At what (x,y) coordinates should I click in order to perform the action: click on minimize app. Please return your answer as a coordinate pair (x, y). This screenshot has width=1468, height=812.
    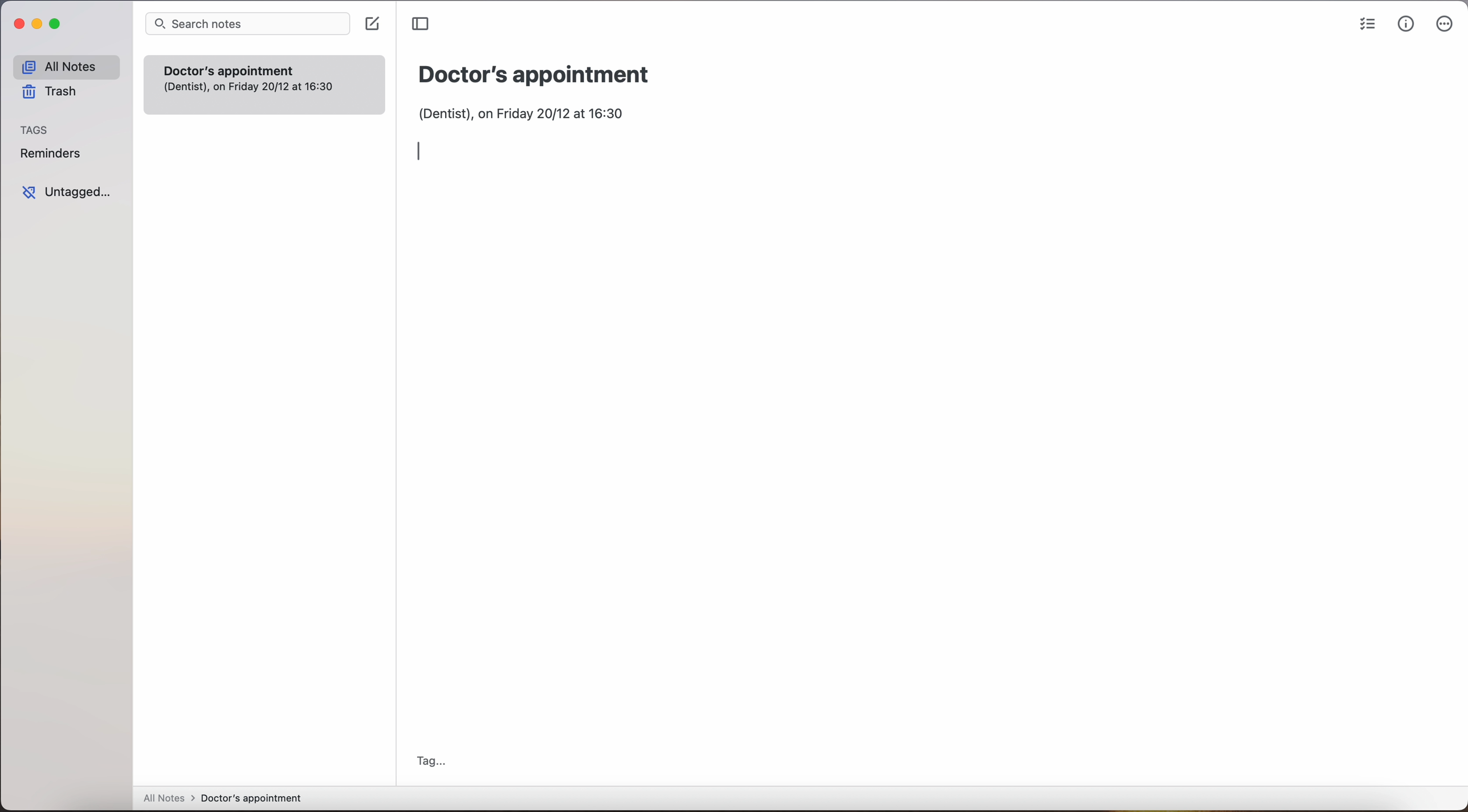
    Looking at the image, I should click on (38, 25).